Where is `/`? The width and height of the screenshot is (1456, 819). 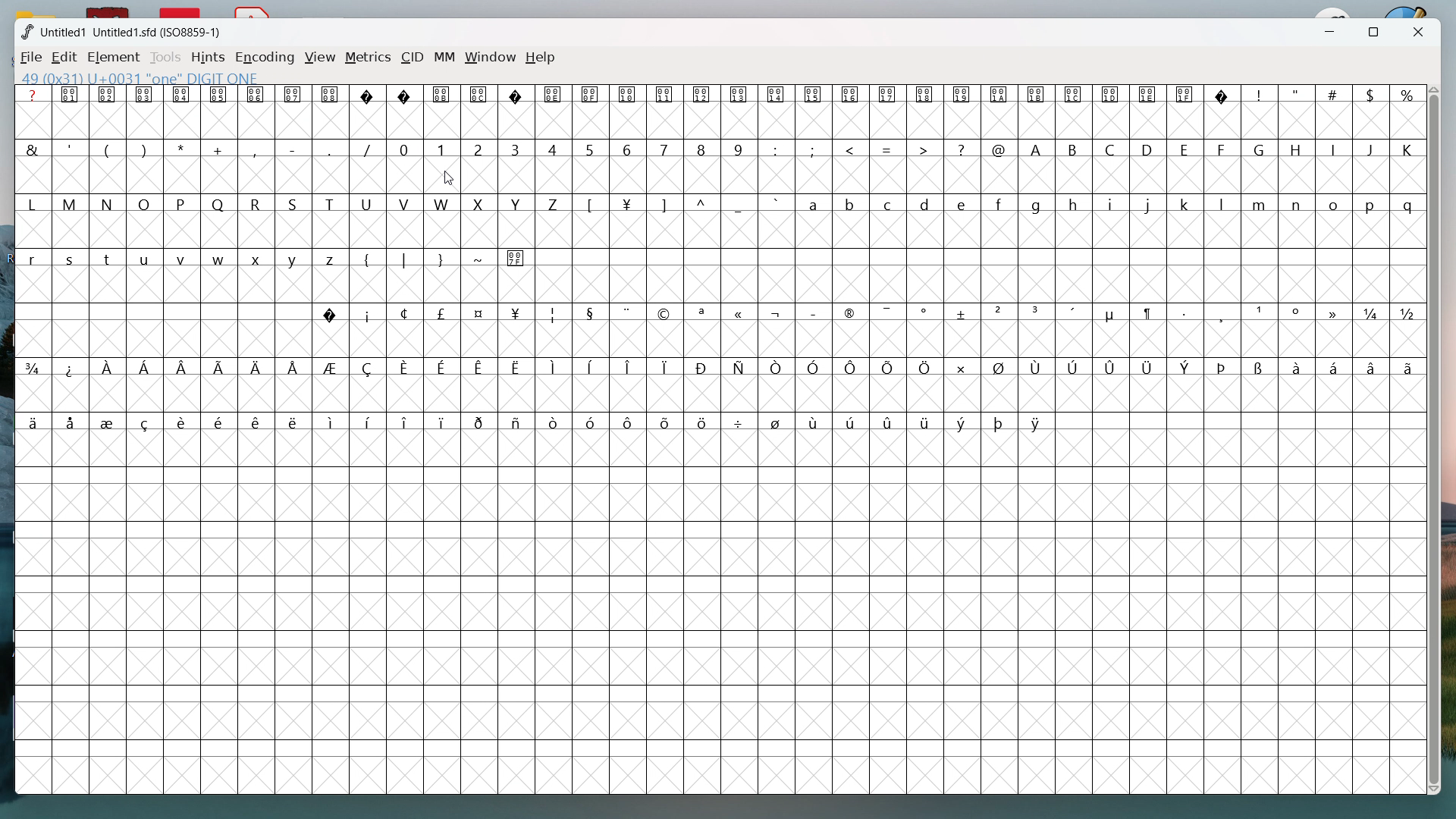 / is located at coordinates (370, 148).